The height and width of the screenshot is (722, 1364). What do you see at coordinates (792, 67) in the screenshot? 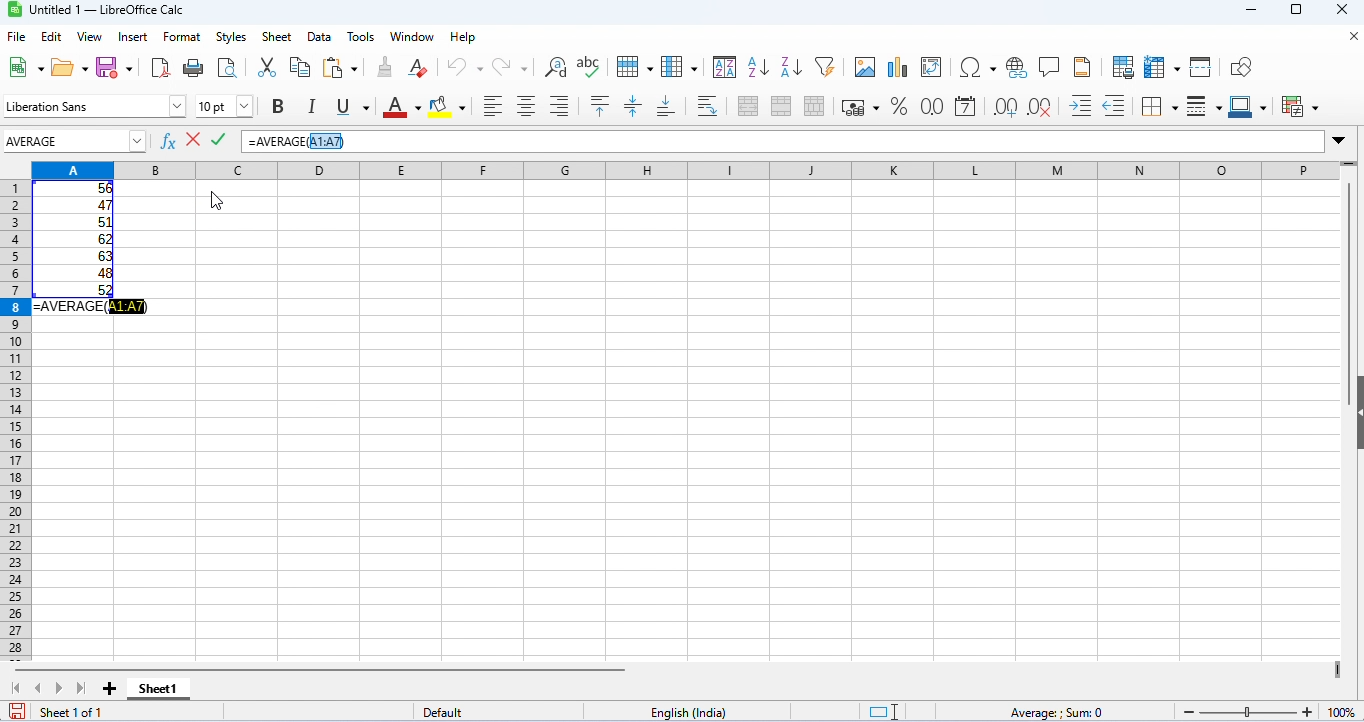
I see `sort descending` at bounding box center [792, 67].